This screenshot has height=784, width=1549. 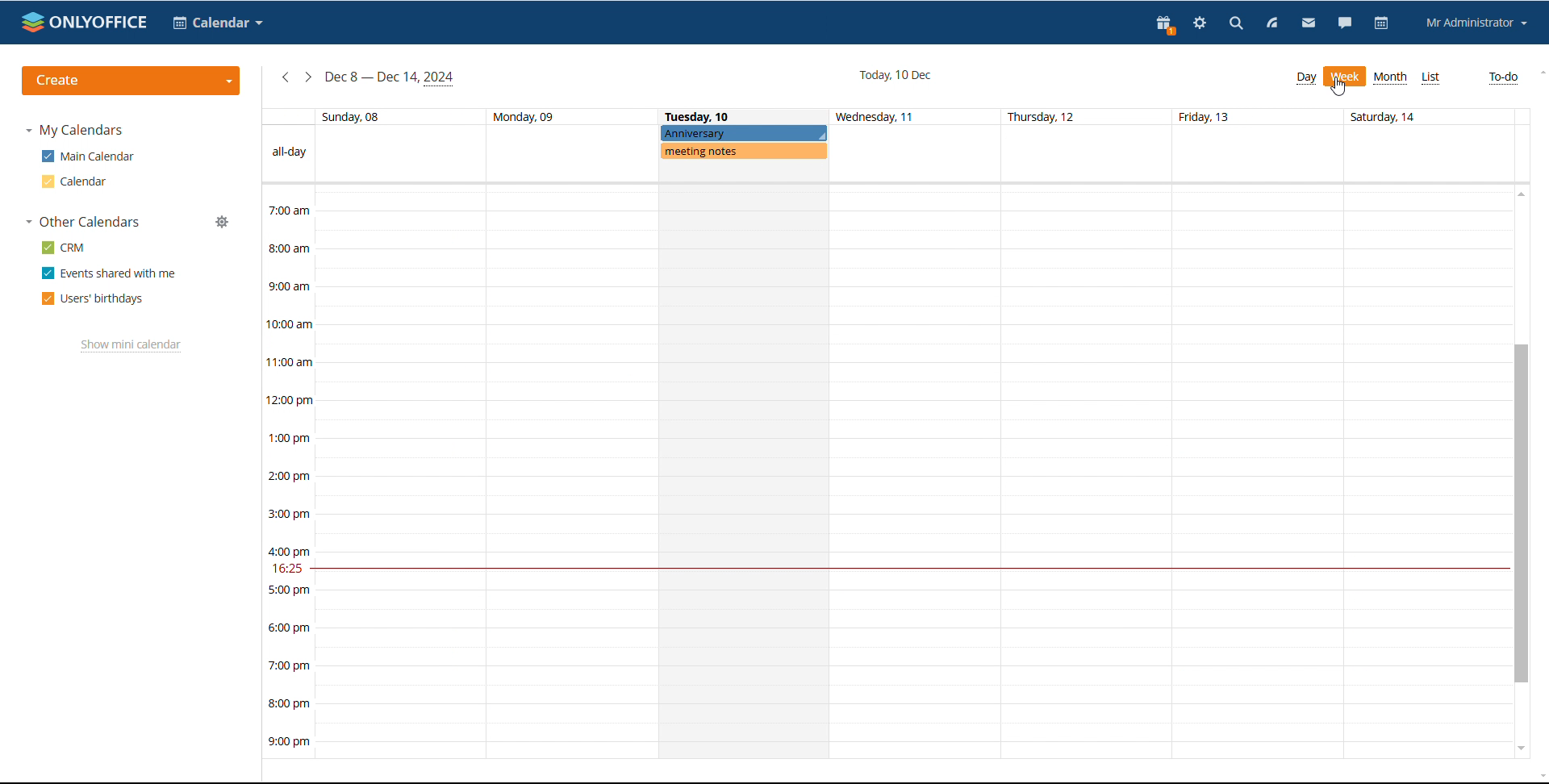 What do you see at coordinates (1338, 88) in the screenshot?
I see `cursor` at bounding box center [1338, 88].